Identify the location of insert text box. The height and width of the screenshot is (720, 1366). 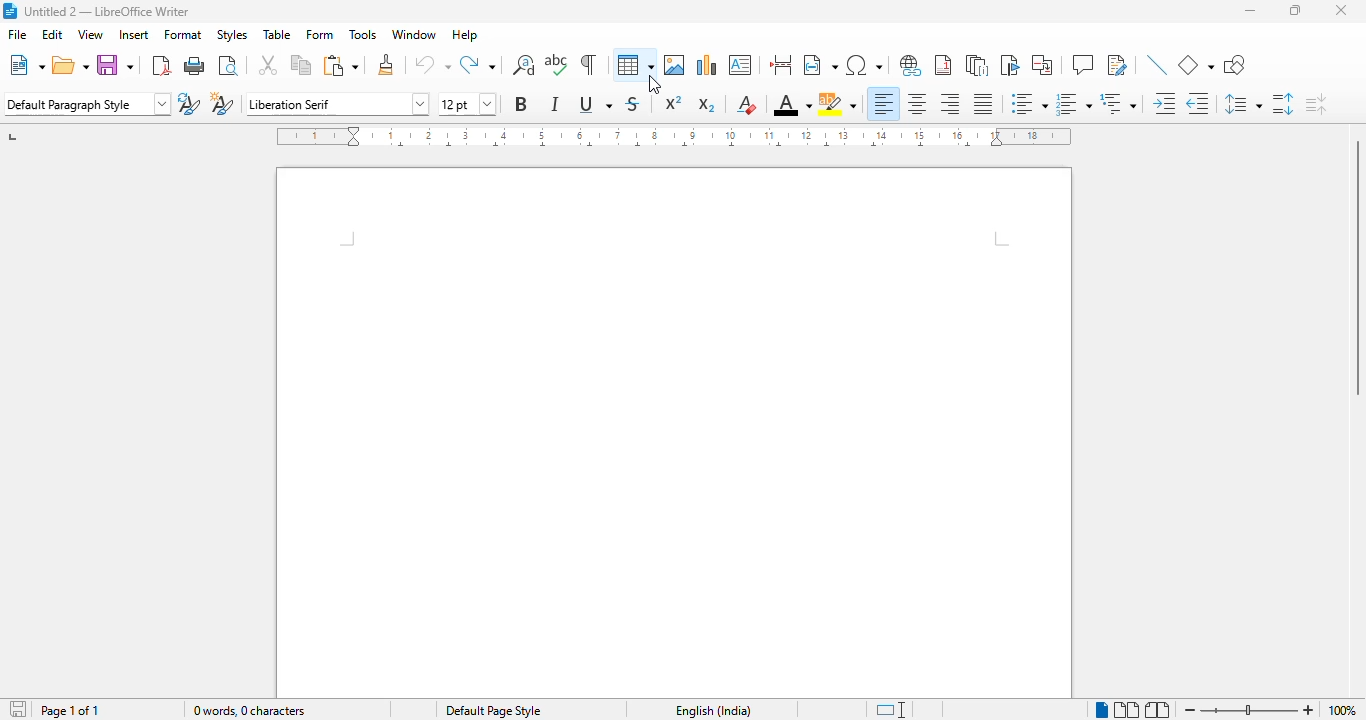
(741, 64).